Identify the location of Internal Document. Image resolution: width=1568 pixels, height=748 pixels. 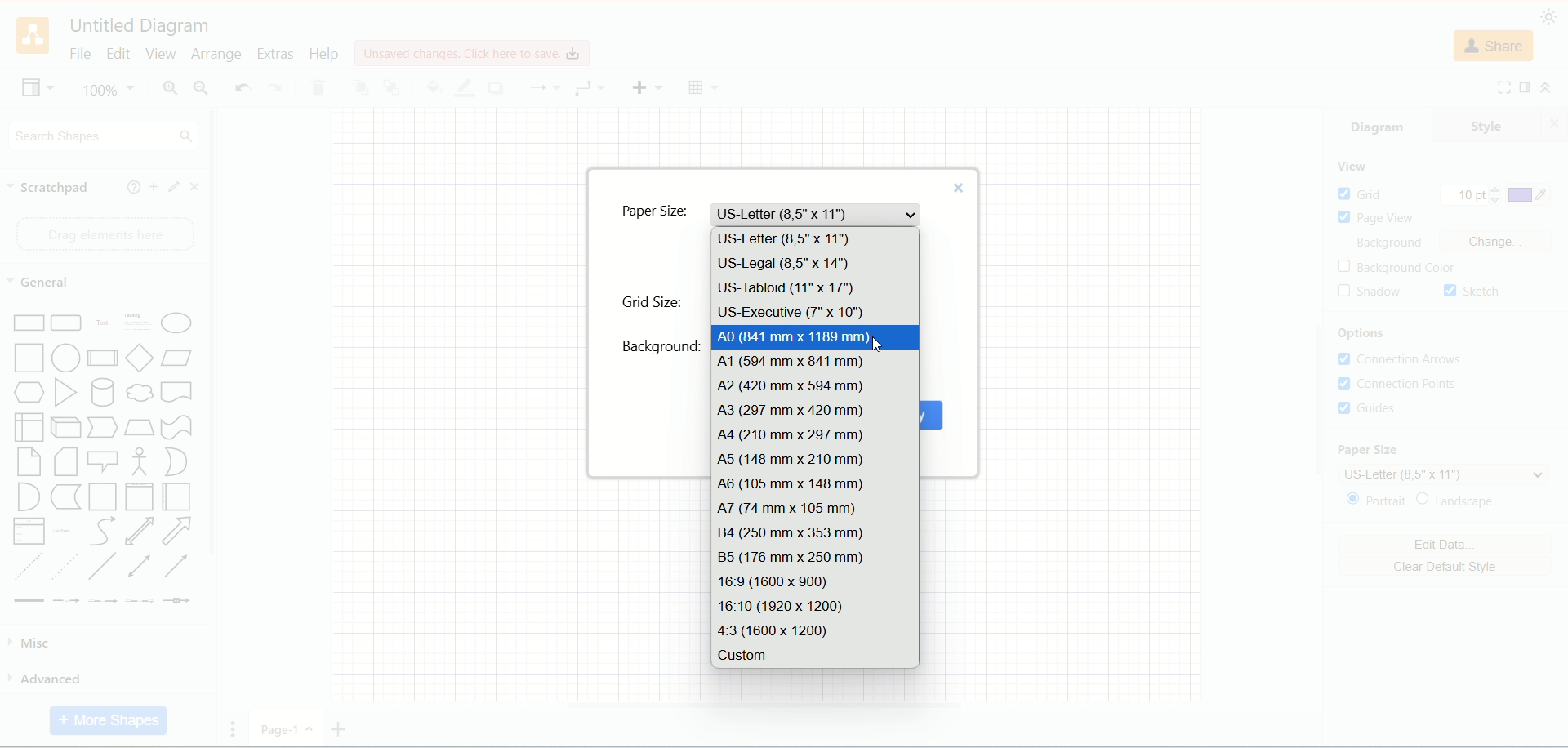
(29, 426).